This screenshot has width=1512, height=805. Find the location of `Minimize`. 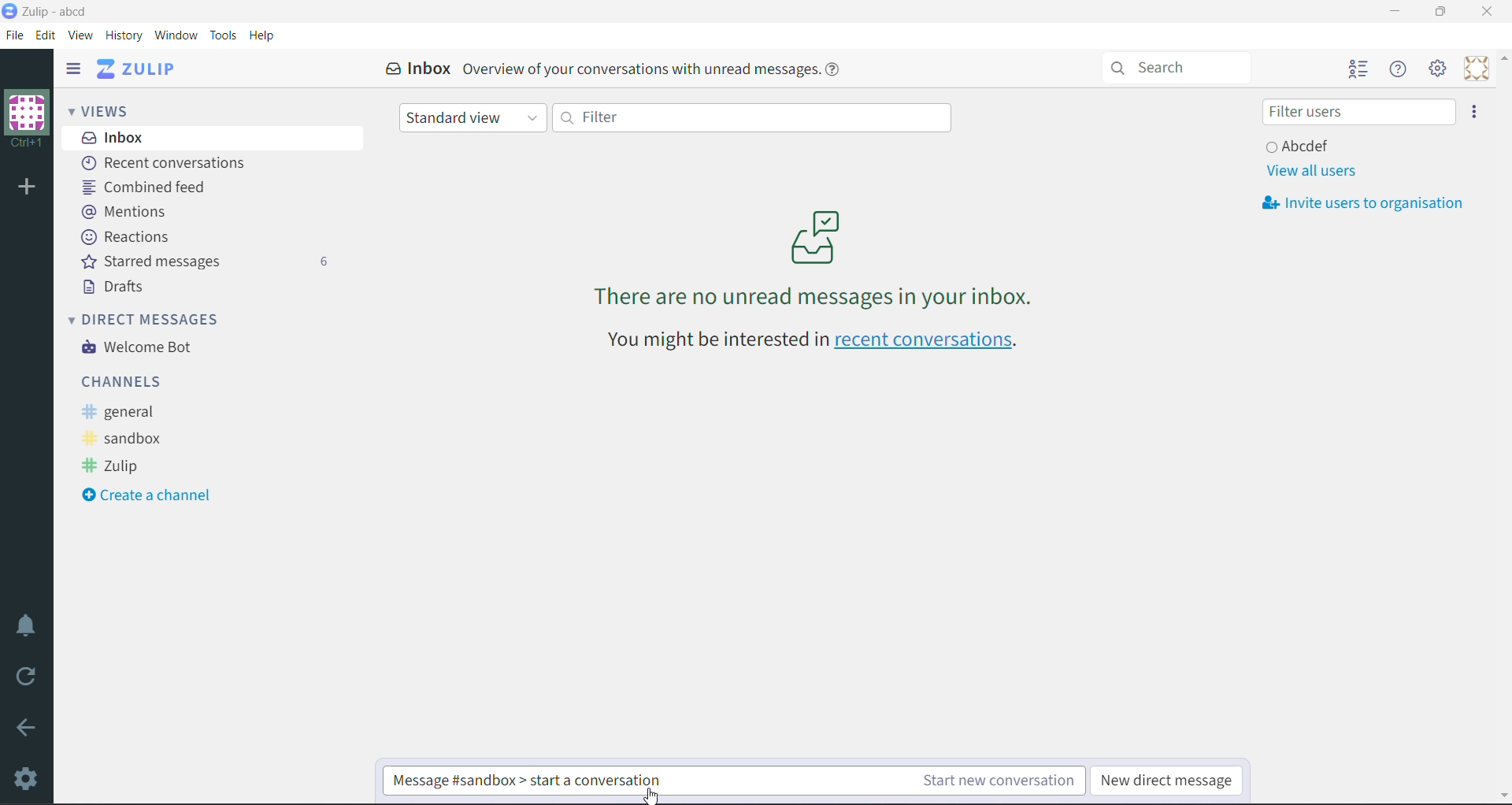

Minimize is located at coordinates (1395, 11).